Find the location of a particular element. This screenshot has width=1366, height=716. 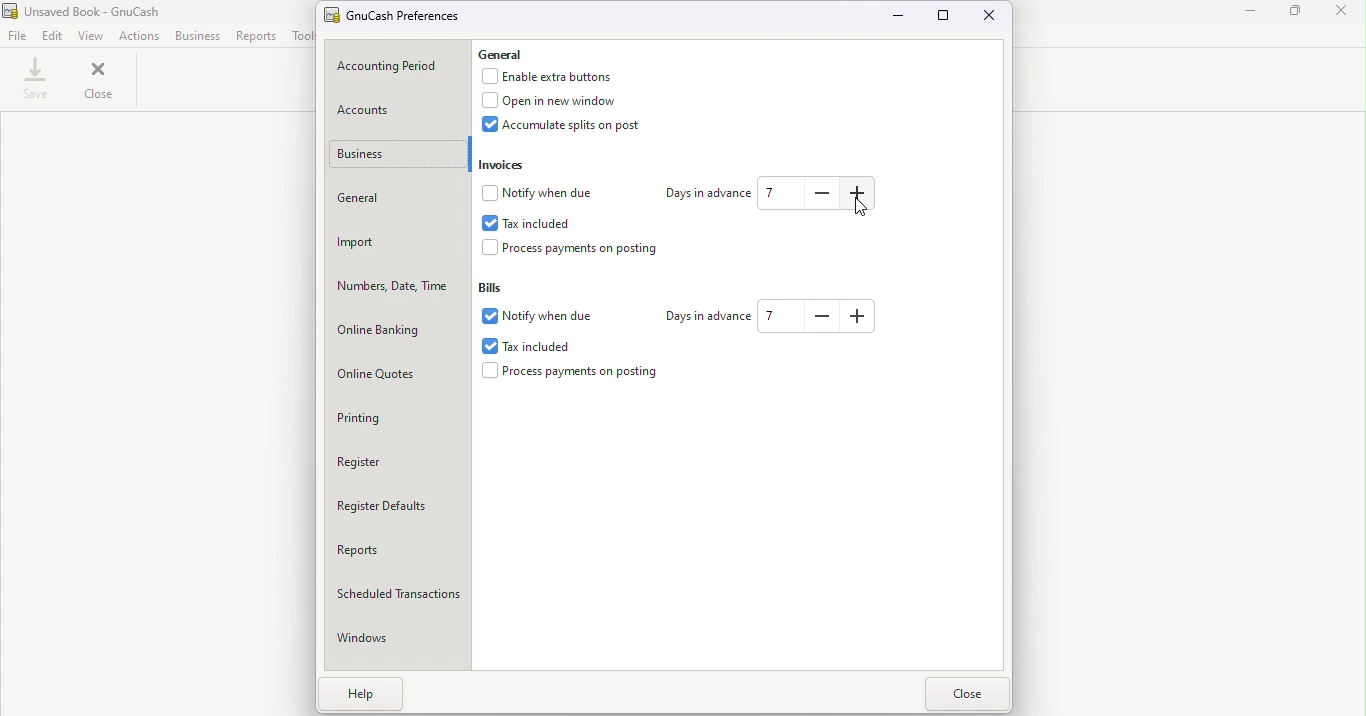

Close is located at coordinates (967, 695).